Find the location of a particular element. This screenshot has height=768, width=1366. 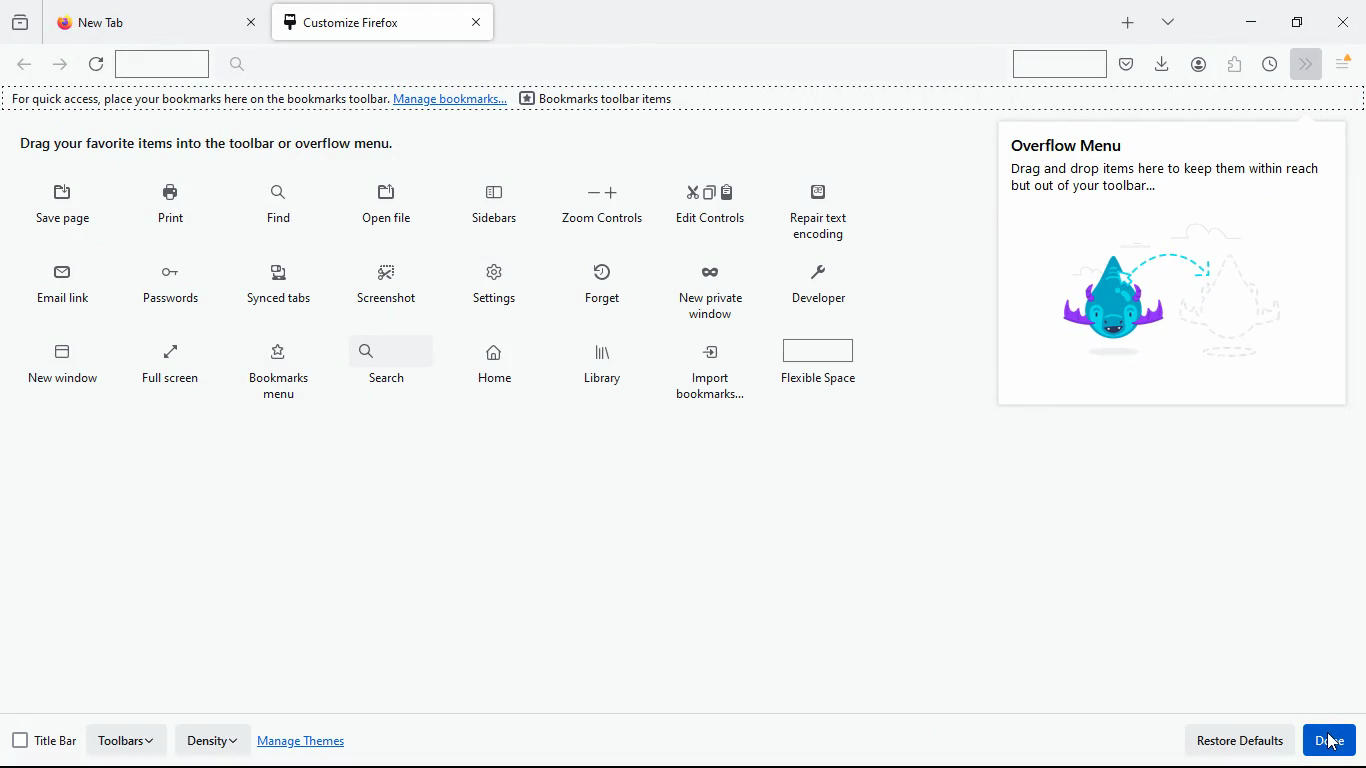

new window is located at coordinates (174, 371).